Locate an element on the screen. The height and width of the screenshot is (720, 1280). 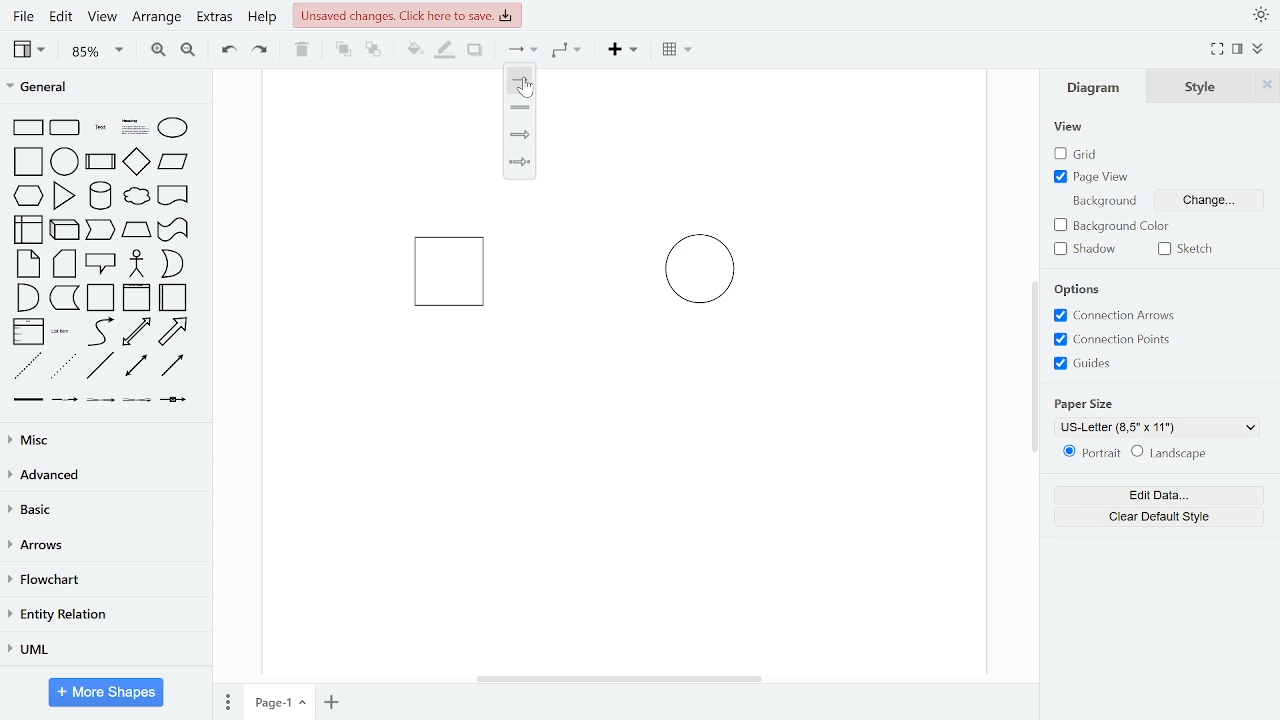
current page is located at coordinates (279, 701).